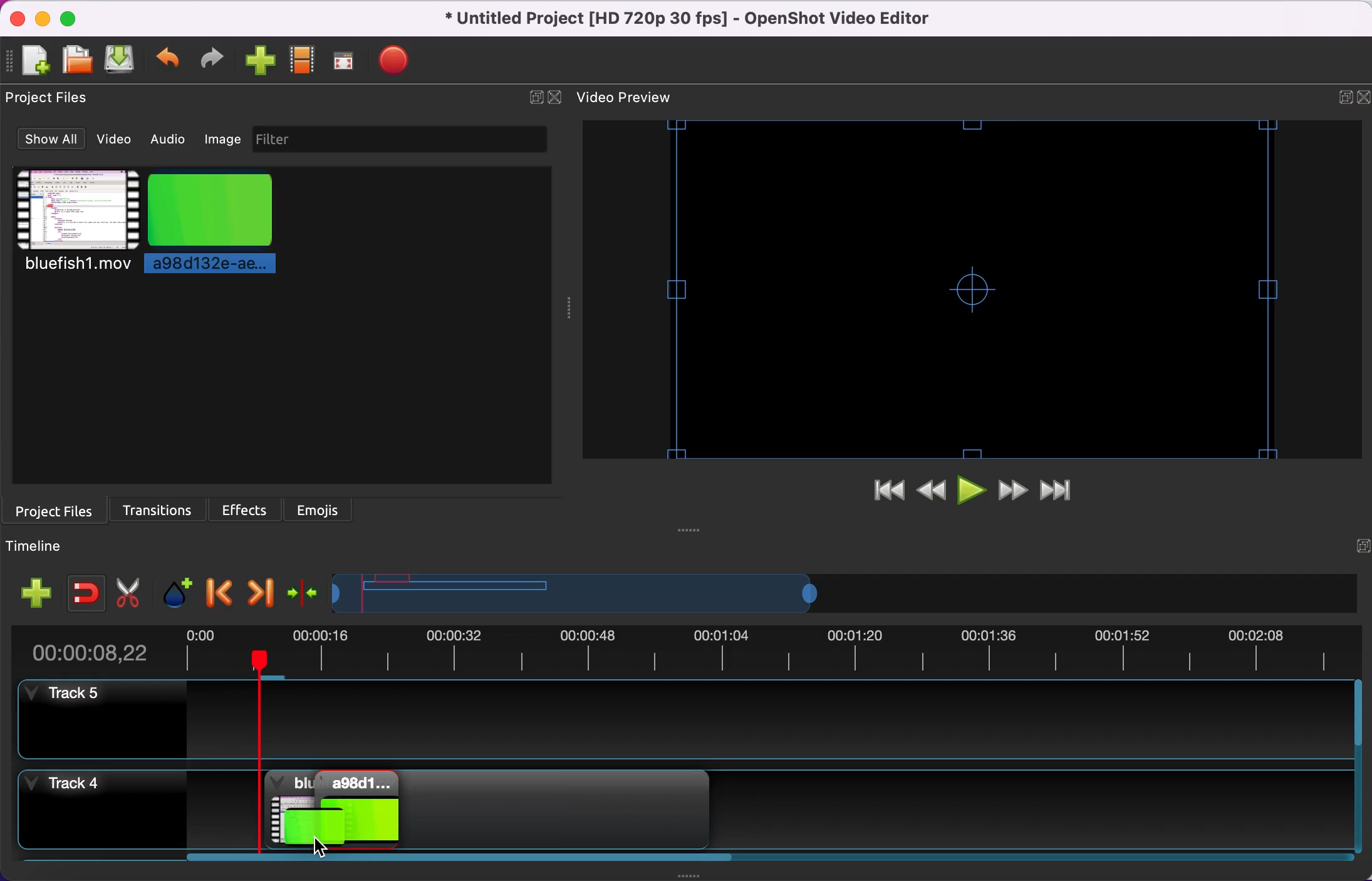 The height and width of the screenshot is (881, 1372). What do you see at coordinates (974, 492) in the screenshot?
I see `play` at bounding box center [974, 492].